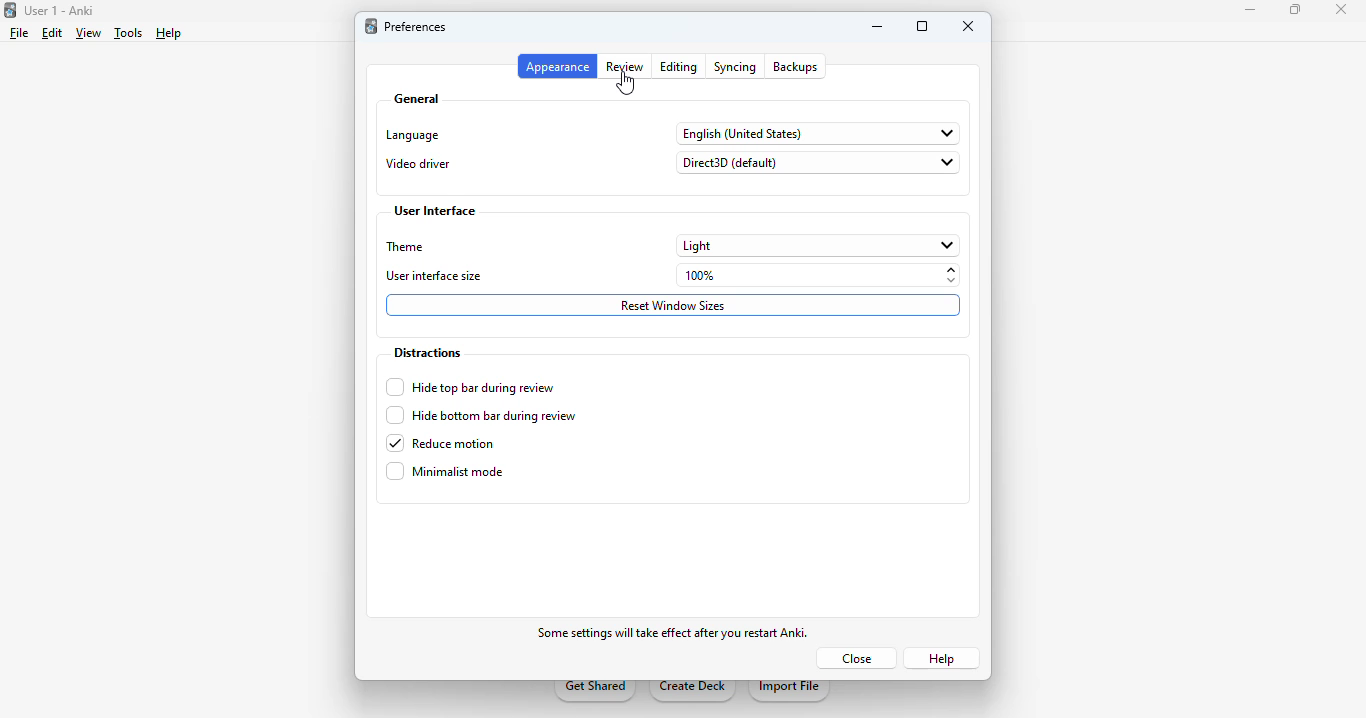  I want to click on help, so click(168, 33).